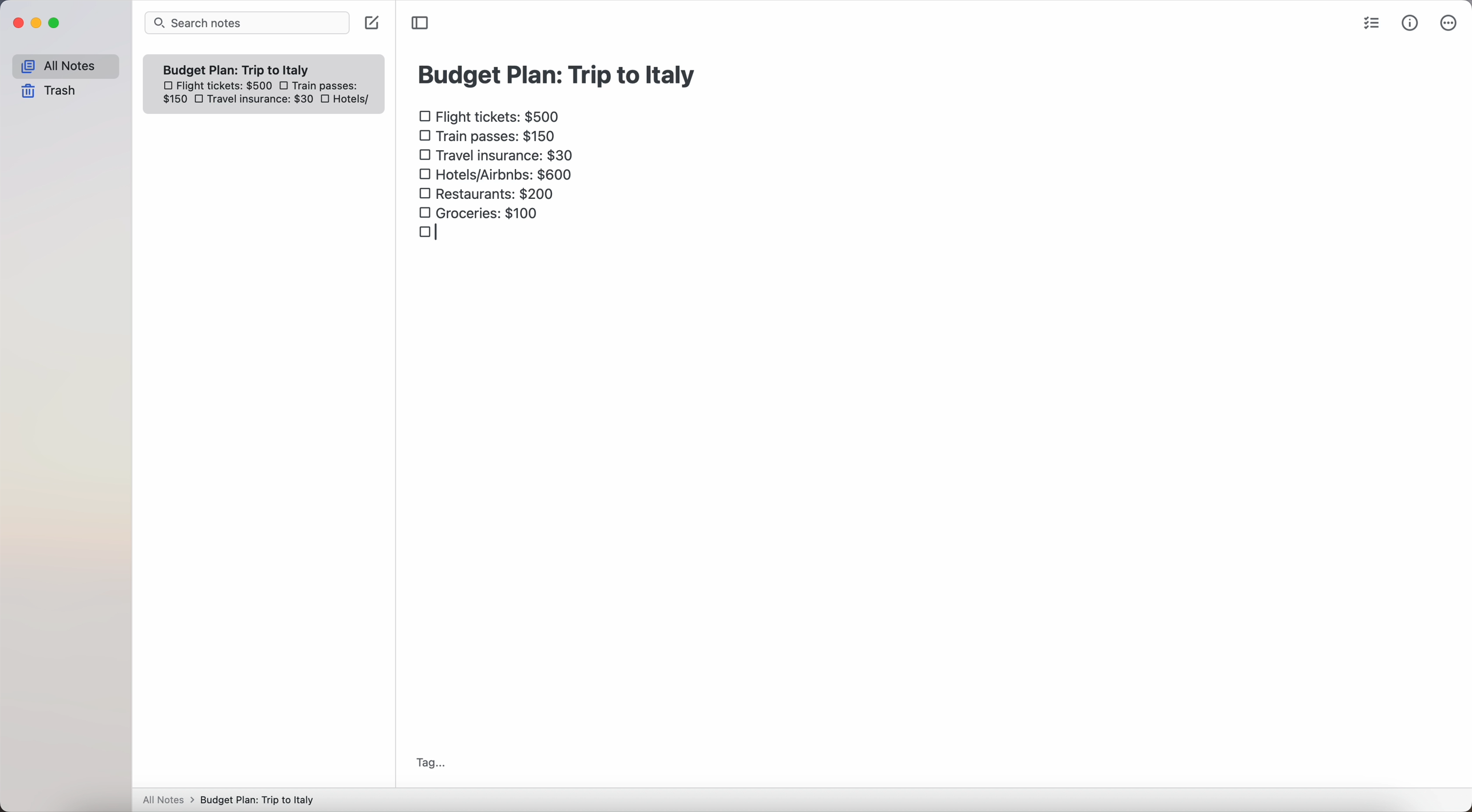 The image size is (1472, 812). Describe the element at coordinates (326, 84) in the screenshot. I see `train passes` at that location.